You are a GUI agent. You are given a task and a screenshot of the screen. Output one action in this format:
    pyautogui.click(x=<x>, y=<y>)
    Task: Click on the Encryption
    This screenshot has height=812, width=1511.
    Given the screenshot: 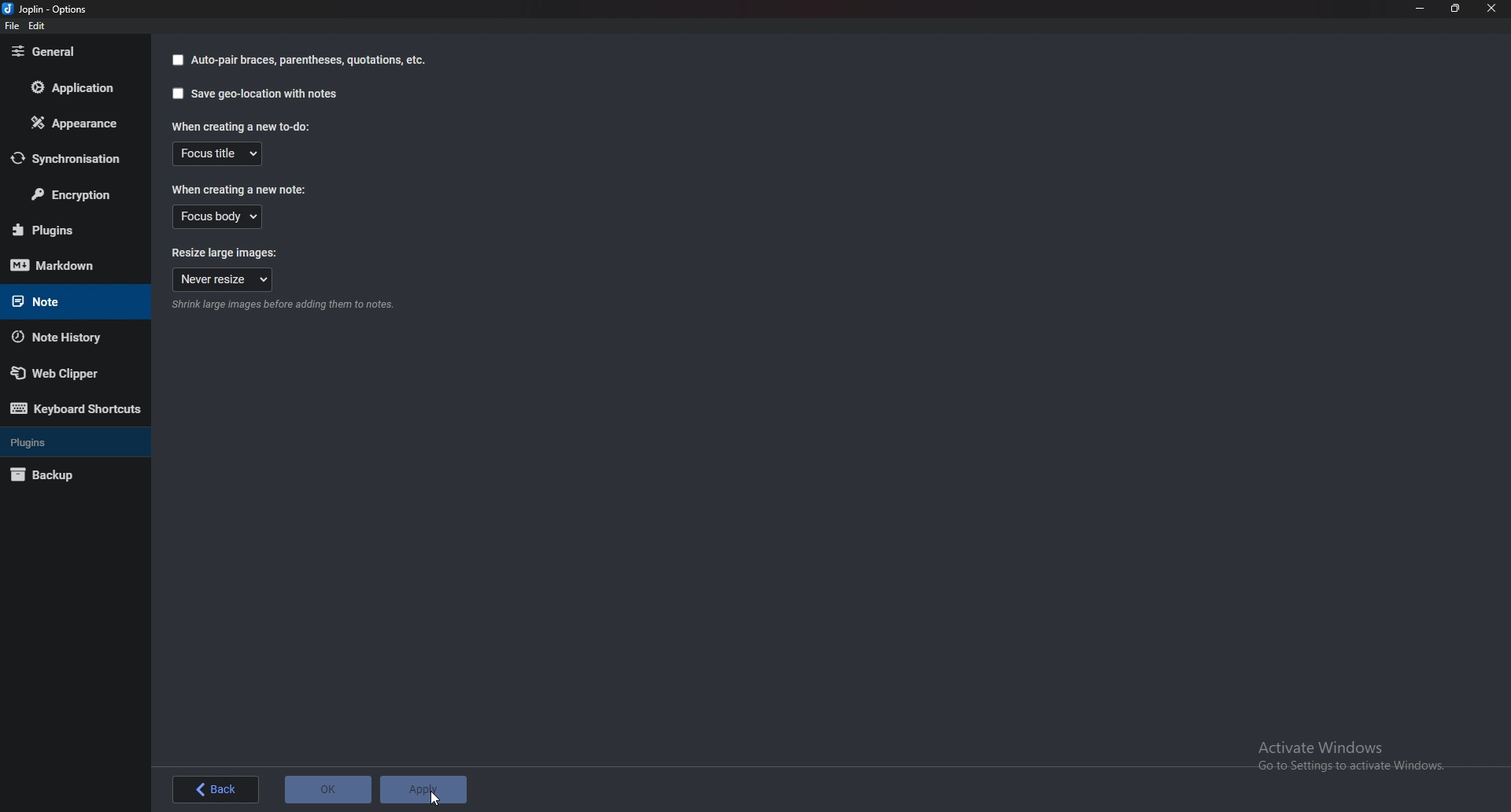 What is the action you would take?
    pyautogui.click(x=74, y=196)
    